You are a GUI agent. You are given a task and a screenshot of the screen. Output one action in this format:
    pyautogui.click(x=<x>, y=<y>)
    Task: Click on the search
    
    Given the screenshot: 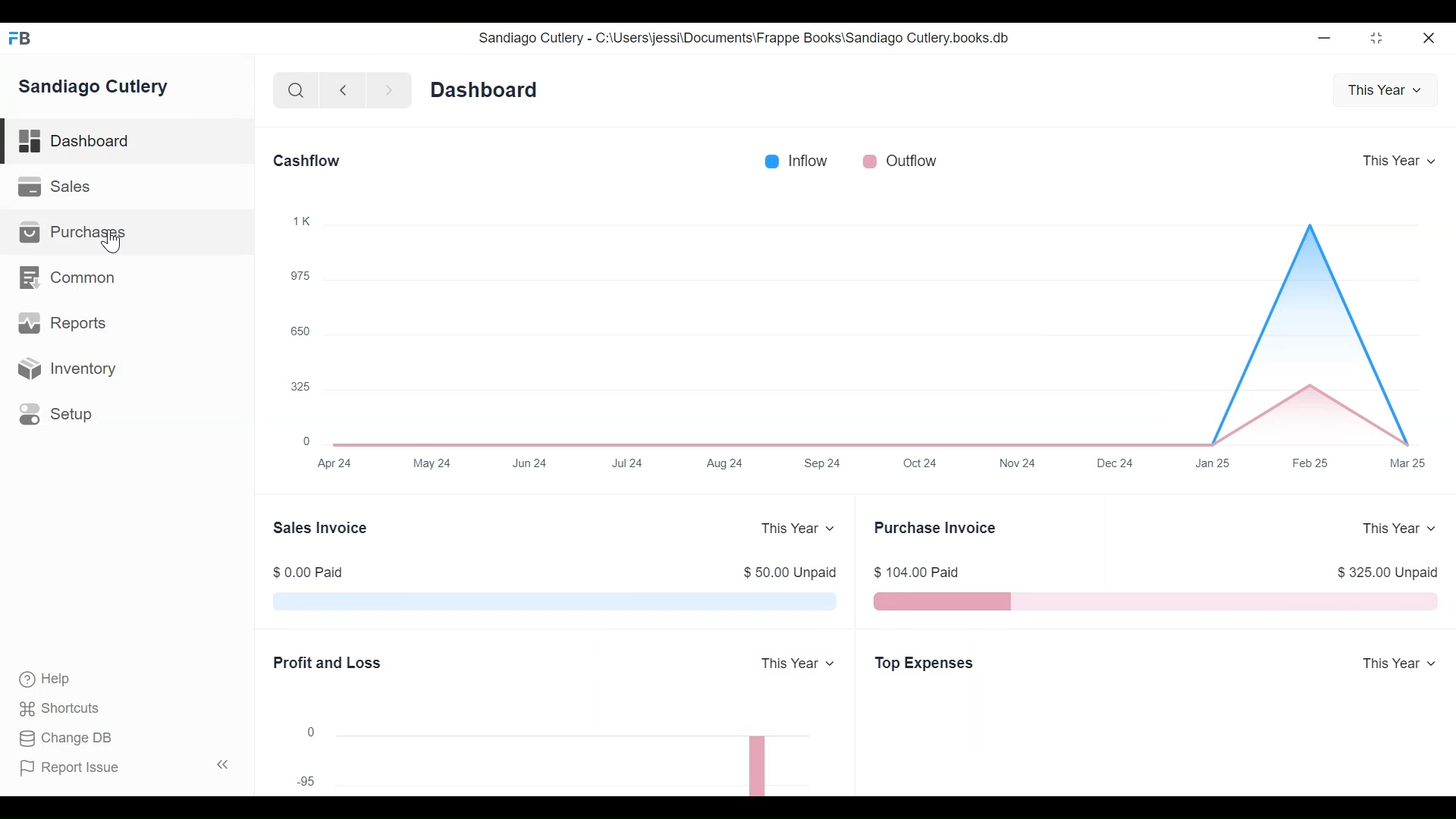 What is the action you would take?
    pyautogui.click(x=298, y=92)
    